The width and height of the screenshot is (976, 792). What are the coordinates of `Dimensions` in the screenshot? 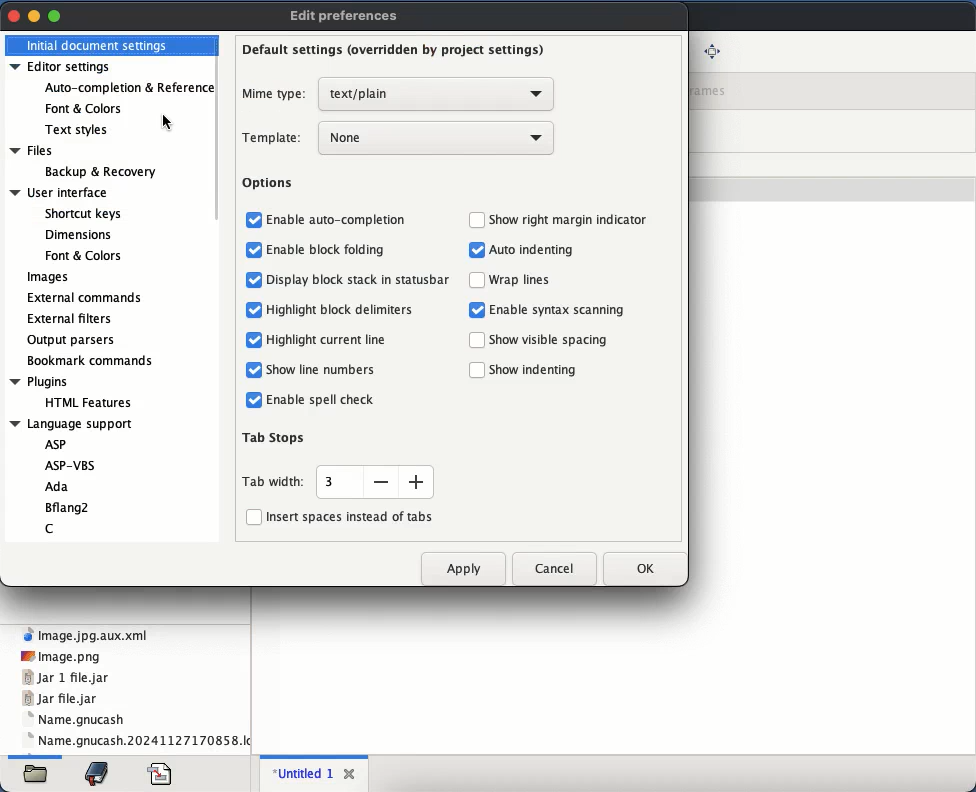 It's located at (77, 233).